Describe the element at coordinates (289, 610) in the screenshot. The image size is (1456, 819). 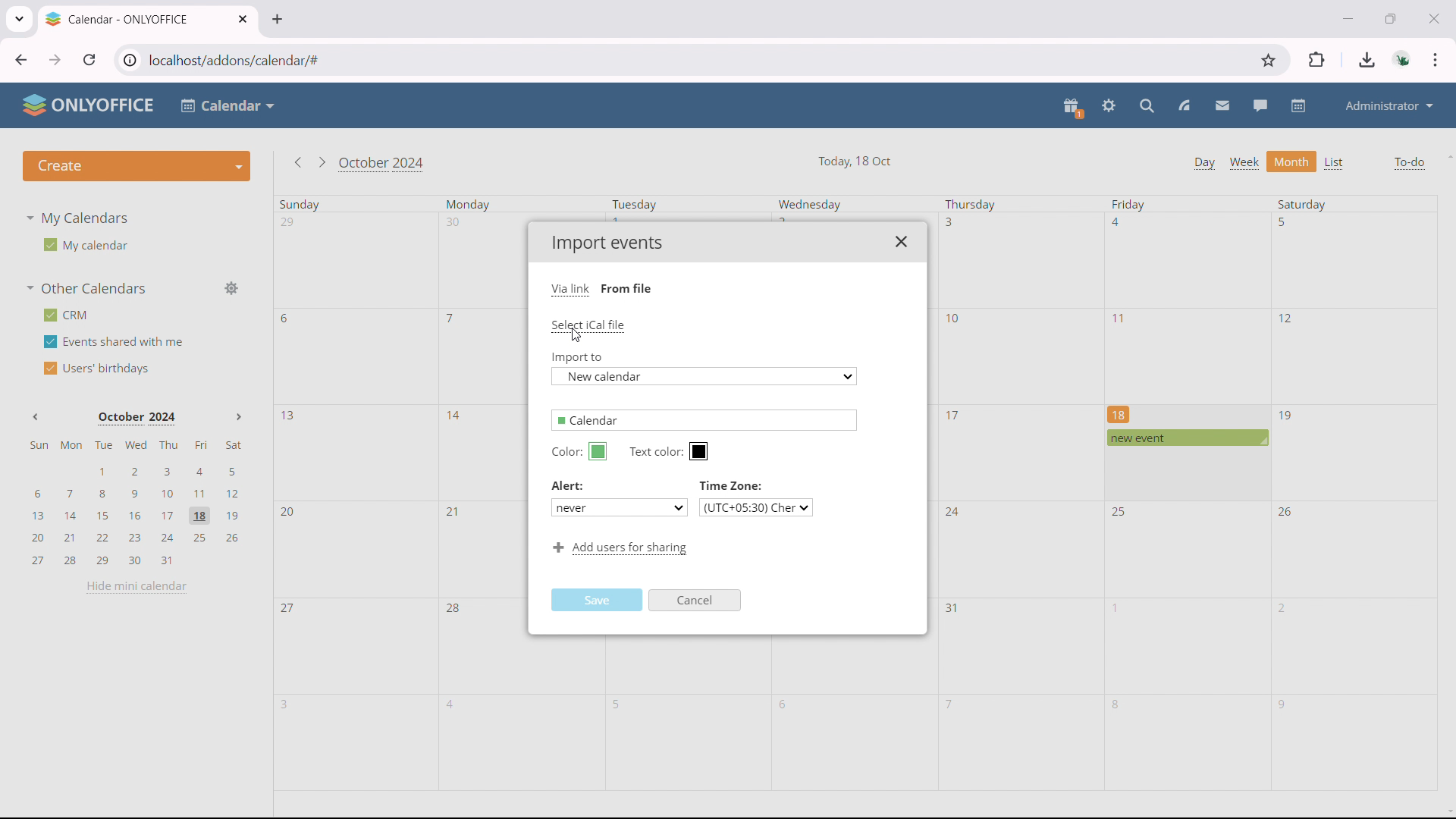
I see `27` at that location.